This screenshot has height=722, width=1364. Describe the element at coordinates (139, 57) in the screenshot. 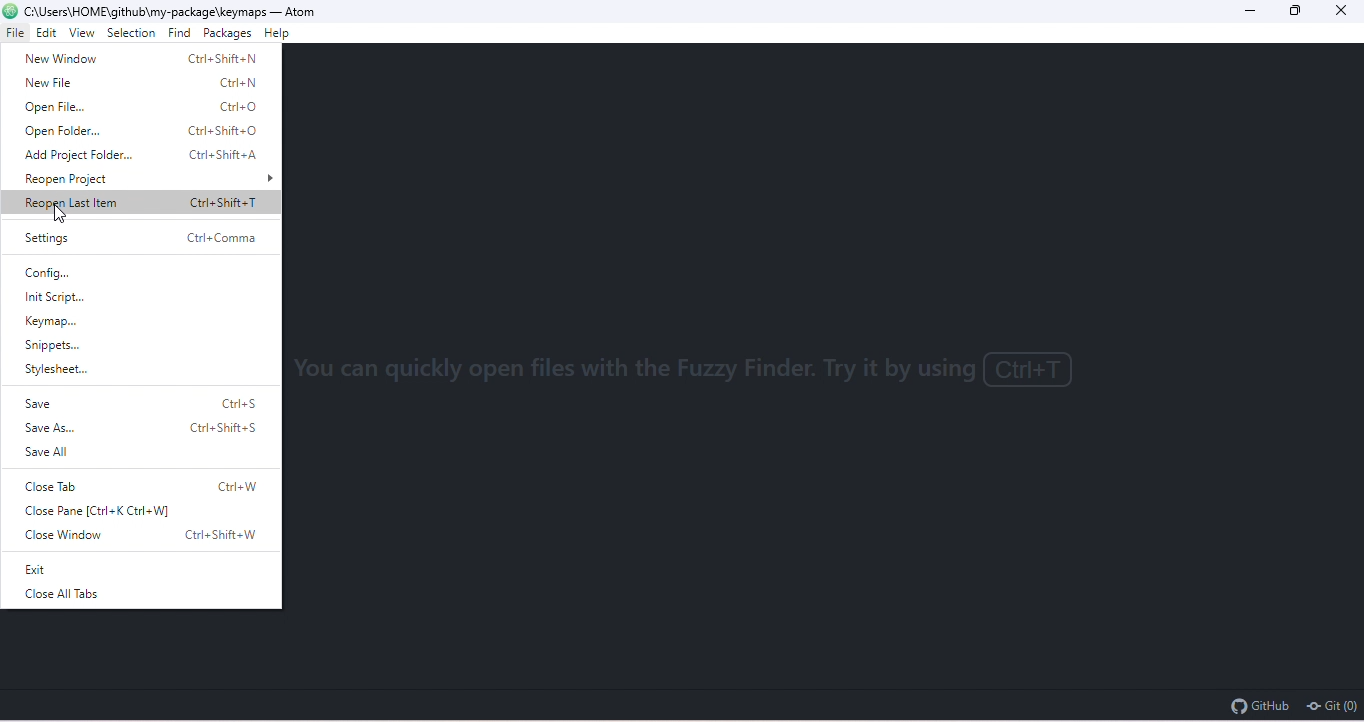

I see `new window Ctrl+Shift+N` at that location.